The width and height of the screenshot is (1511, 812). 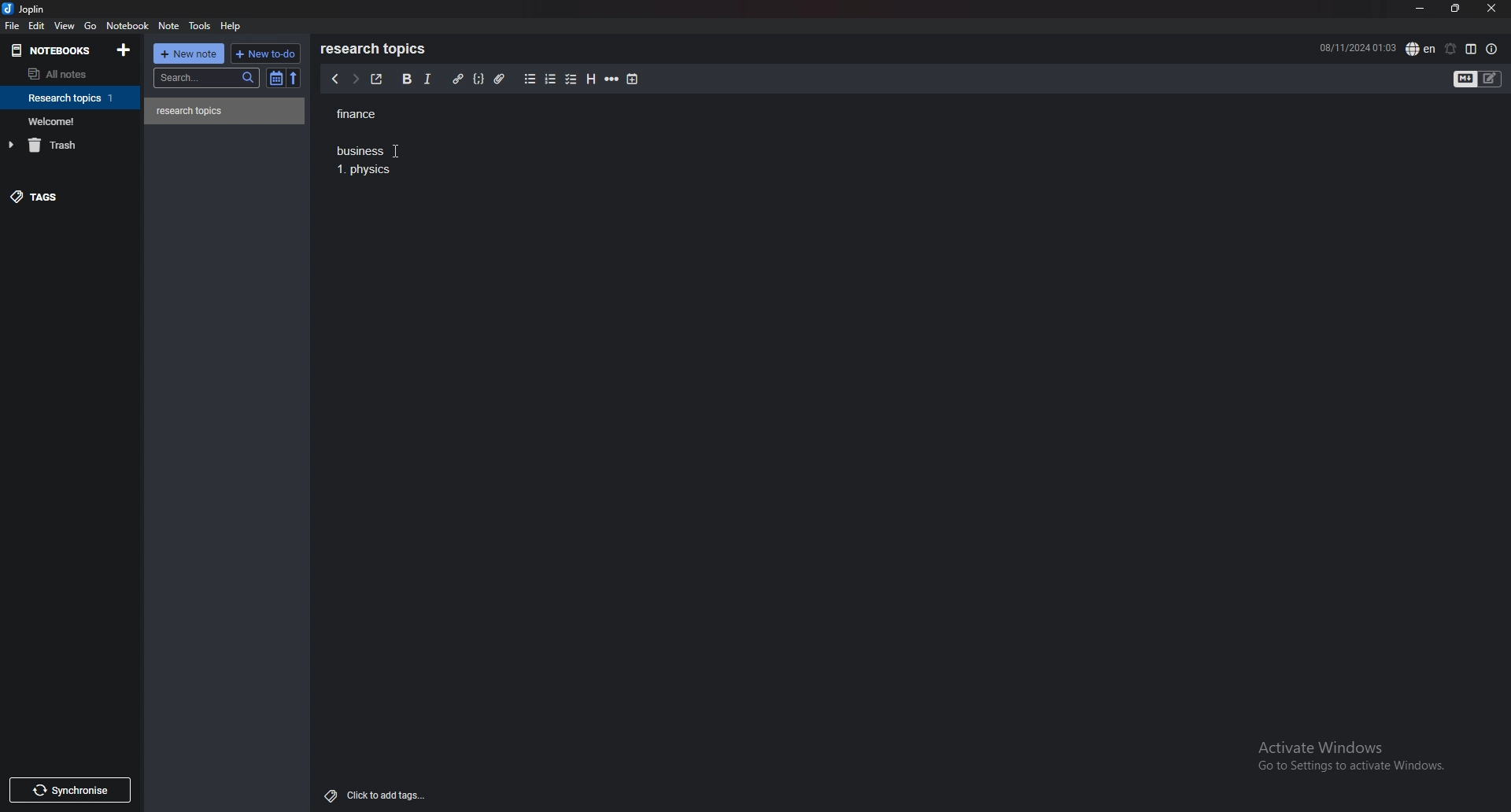 I want to click on add notebook, so click(x=123, y=50).